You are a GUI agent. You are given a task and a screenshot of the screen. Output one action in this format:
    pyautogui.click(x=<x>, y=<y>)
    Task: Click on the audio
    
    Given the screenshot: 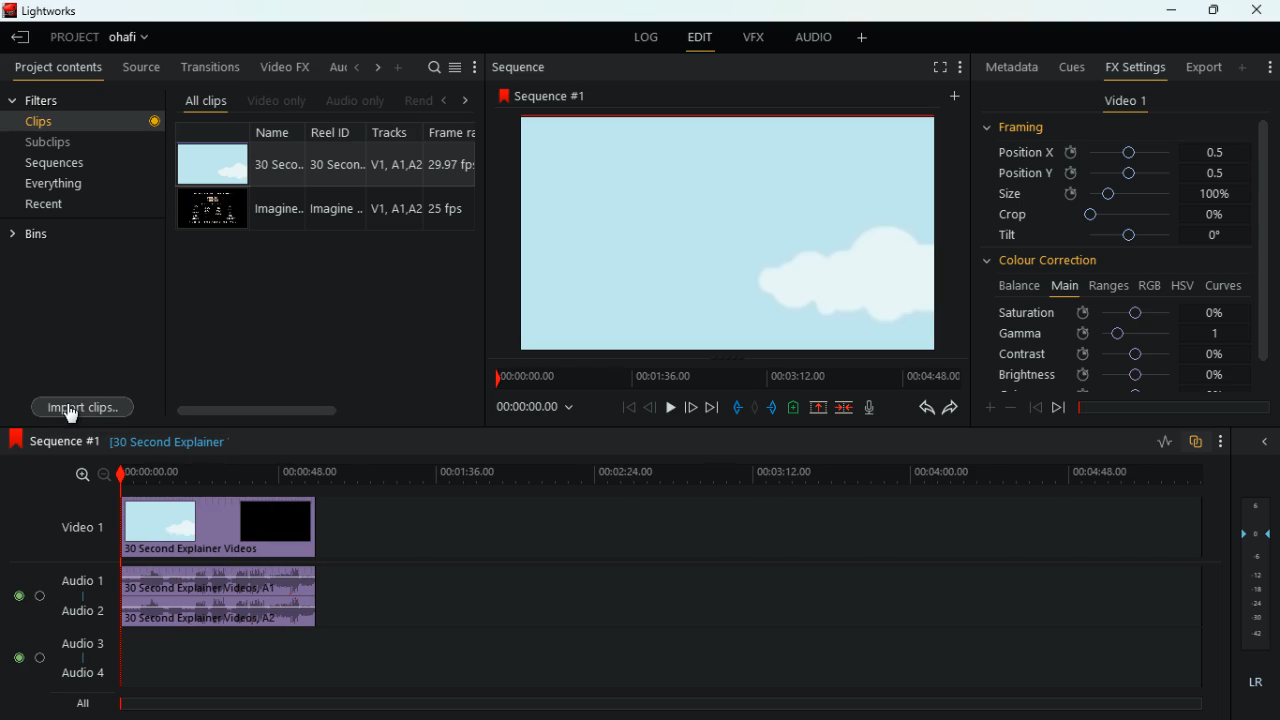 What is the action you would take?
    pyautogui.click(x=226, y=599)
    